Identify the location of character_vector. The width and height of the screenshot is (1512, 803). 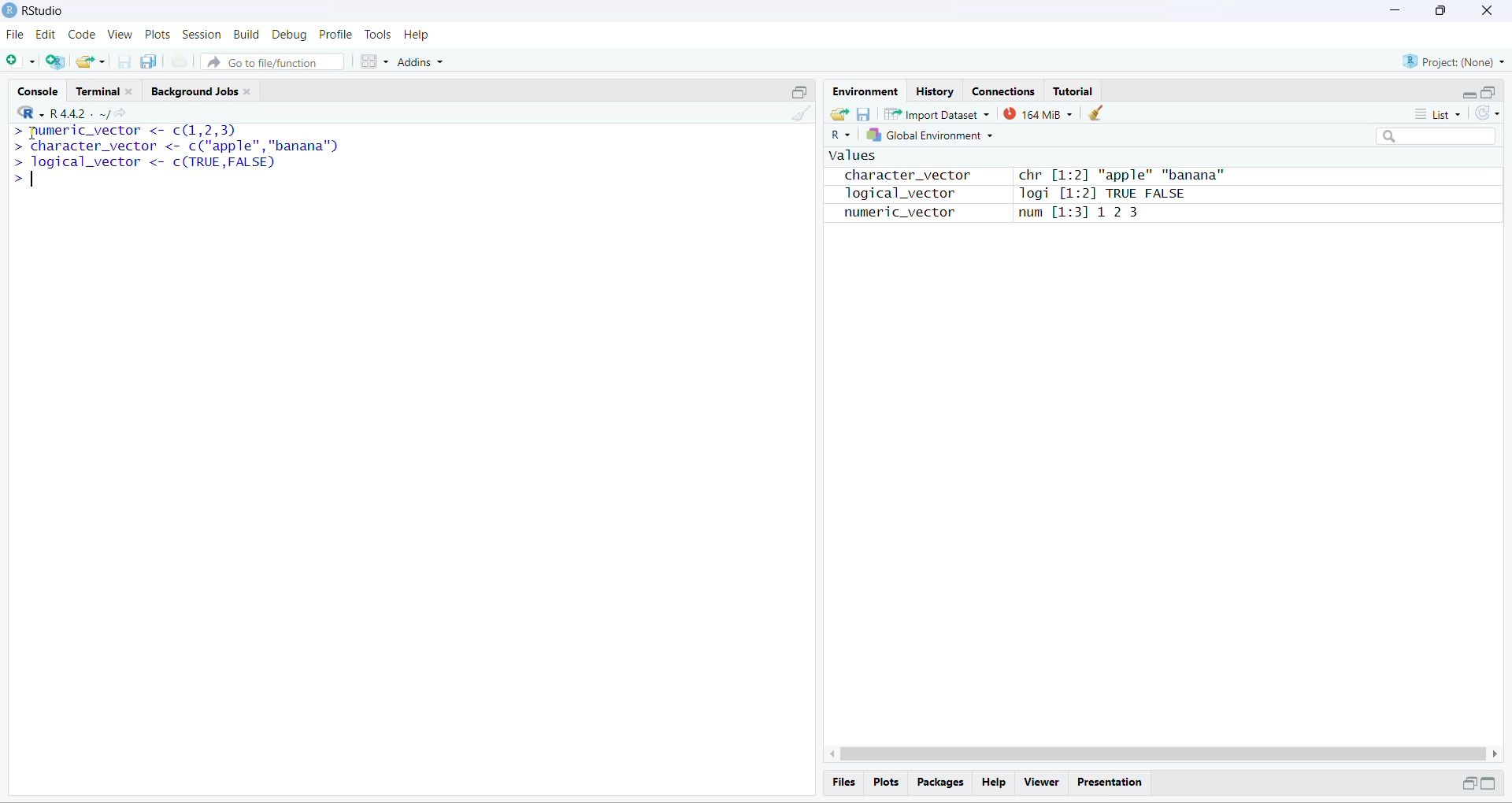
(901, 176).